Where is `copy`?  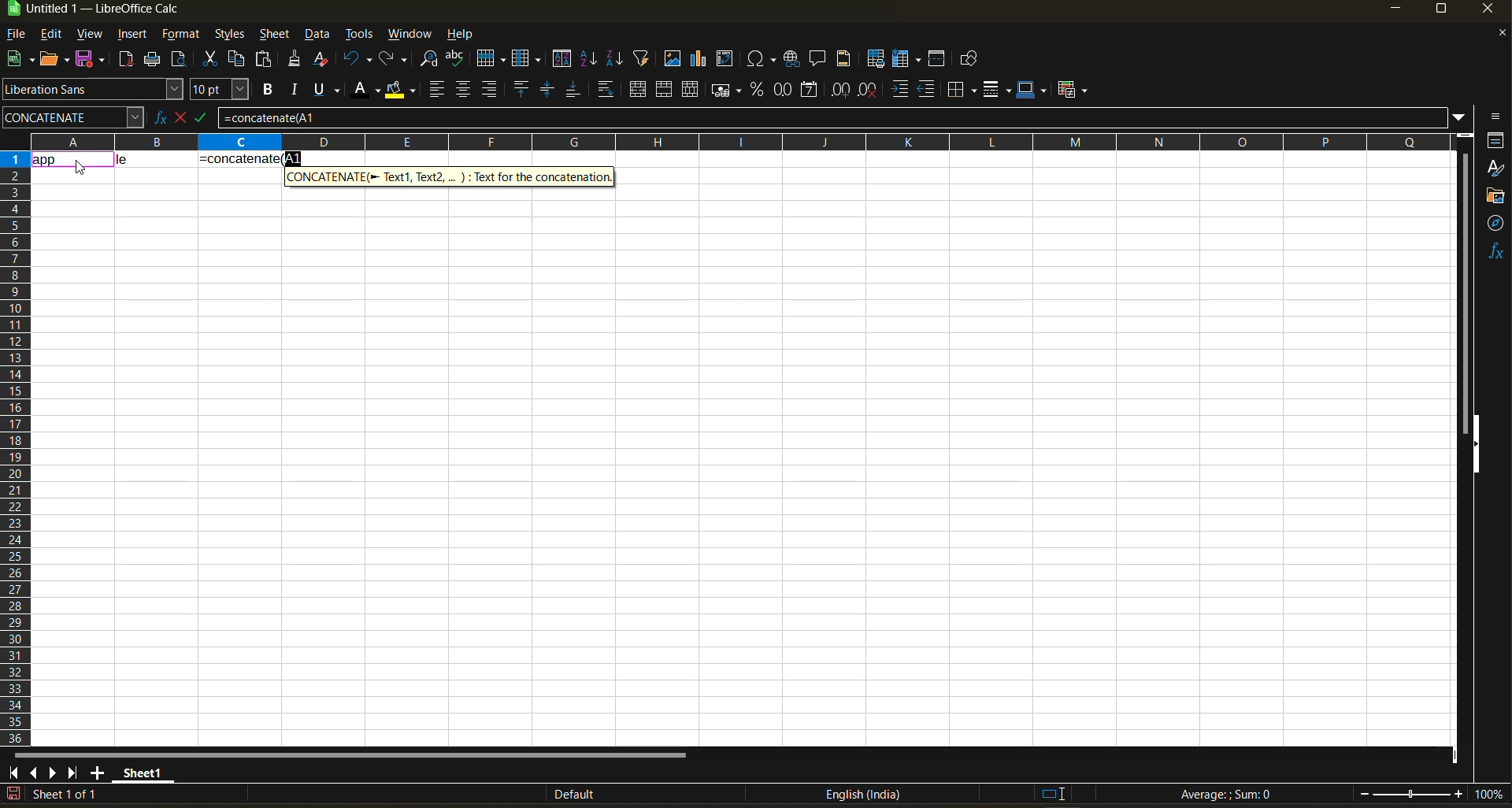
copy is located at coordinates (239, 59).